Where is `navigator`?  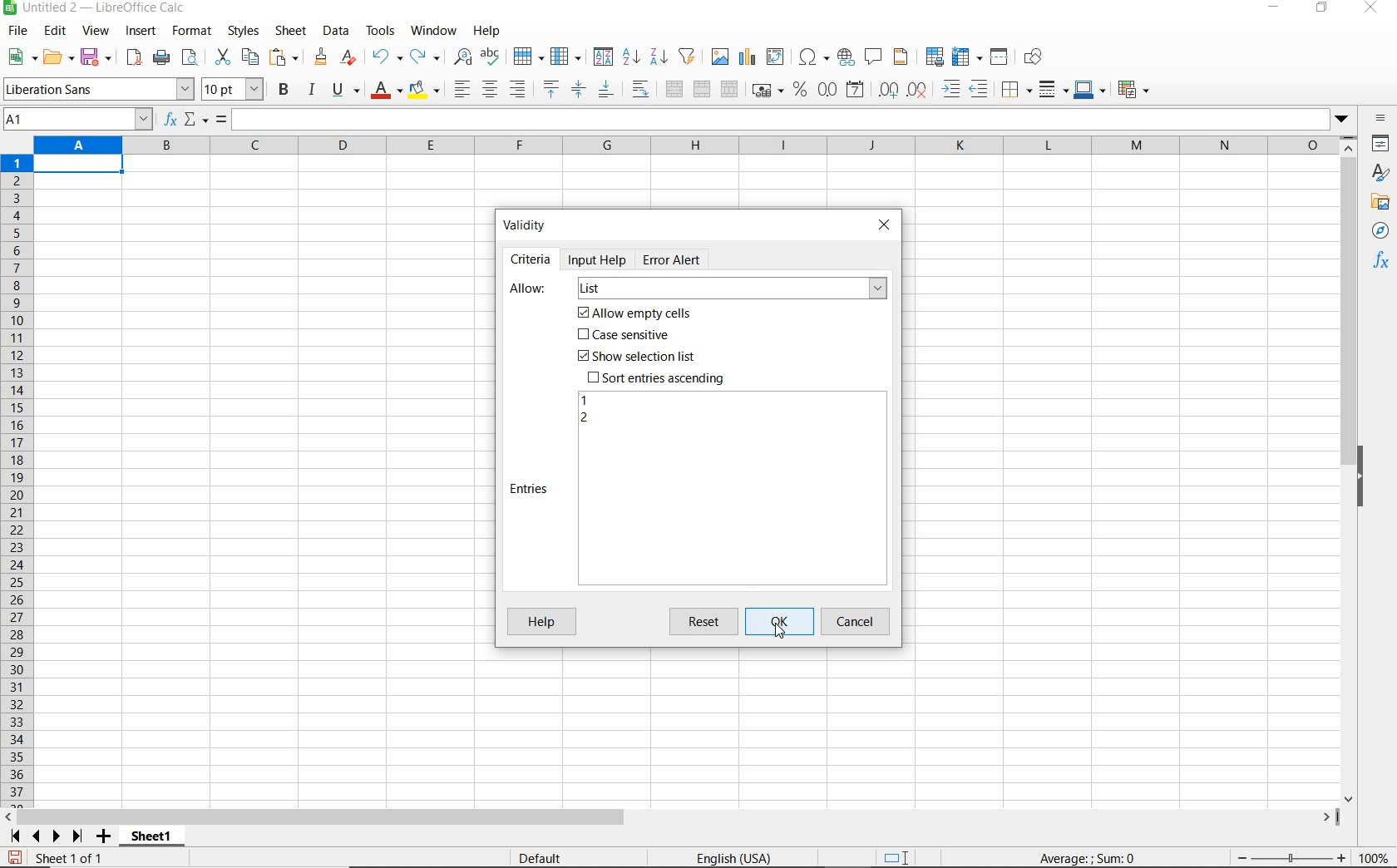
navigator is located at coordinates (1383, 234).